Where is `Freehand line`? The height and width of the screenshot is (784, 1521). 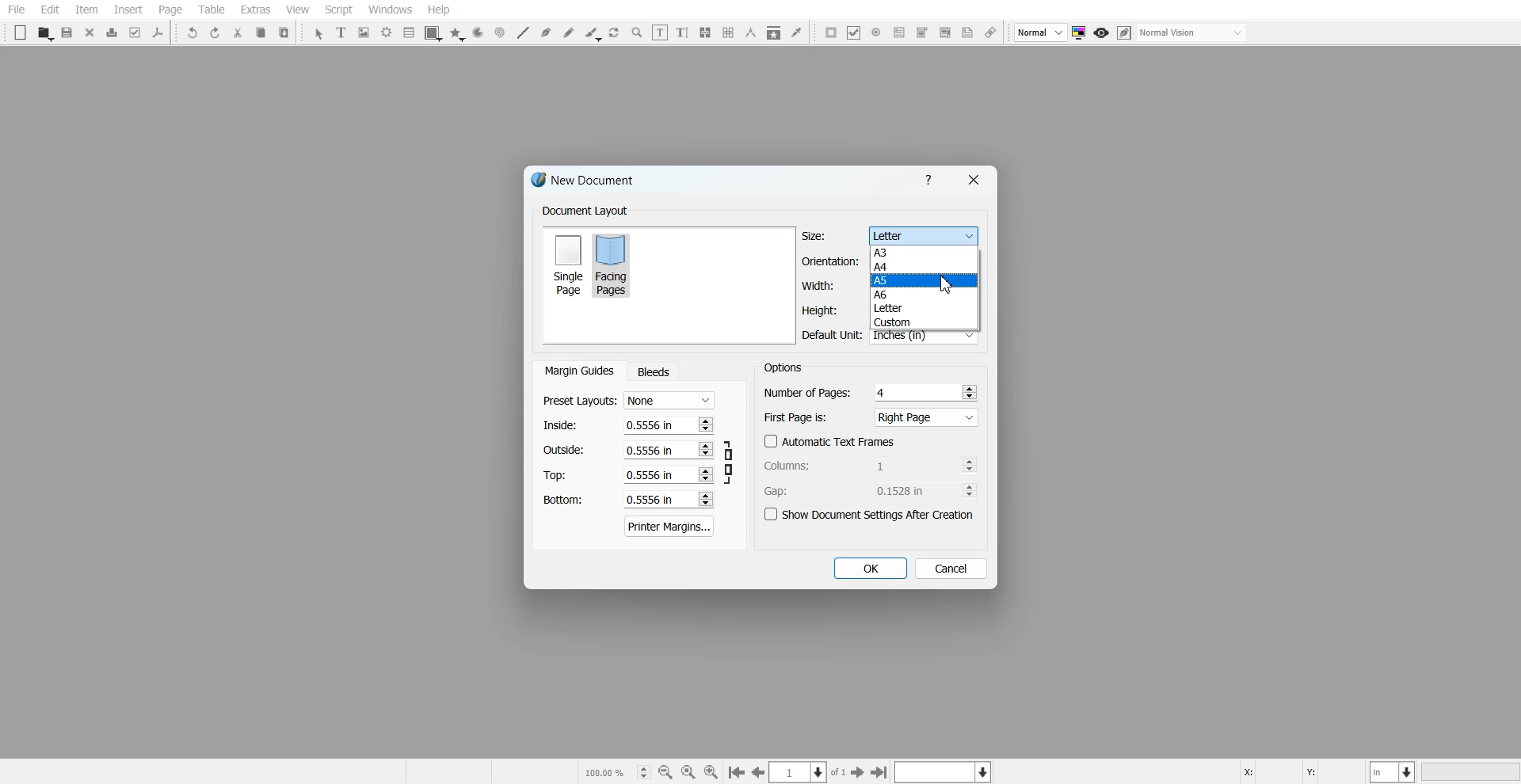
Freehand line is located at coordinates (569, 32).